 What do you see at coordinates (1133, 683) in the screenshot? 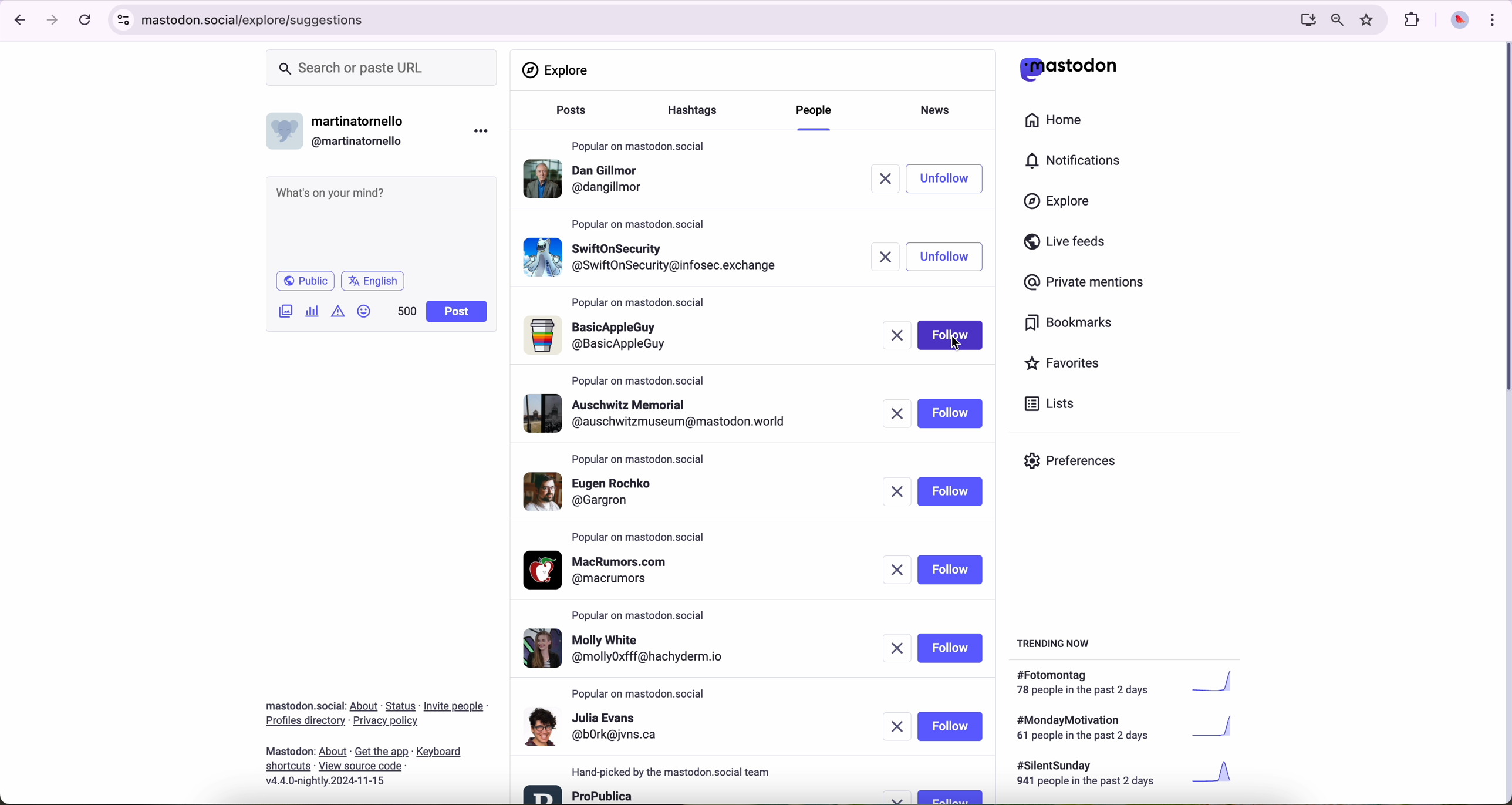
I see `#fotomontag` at bounding box center [1133, 683].